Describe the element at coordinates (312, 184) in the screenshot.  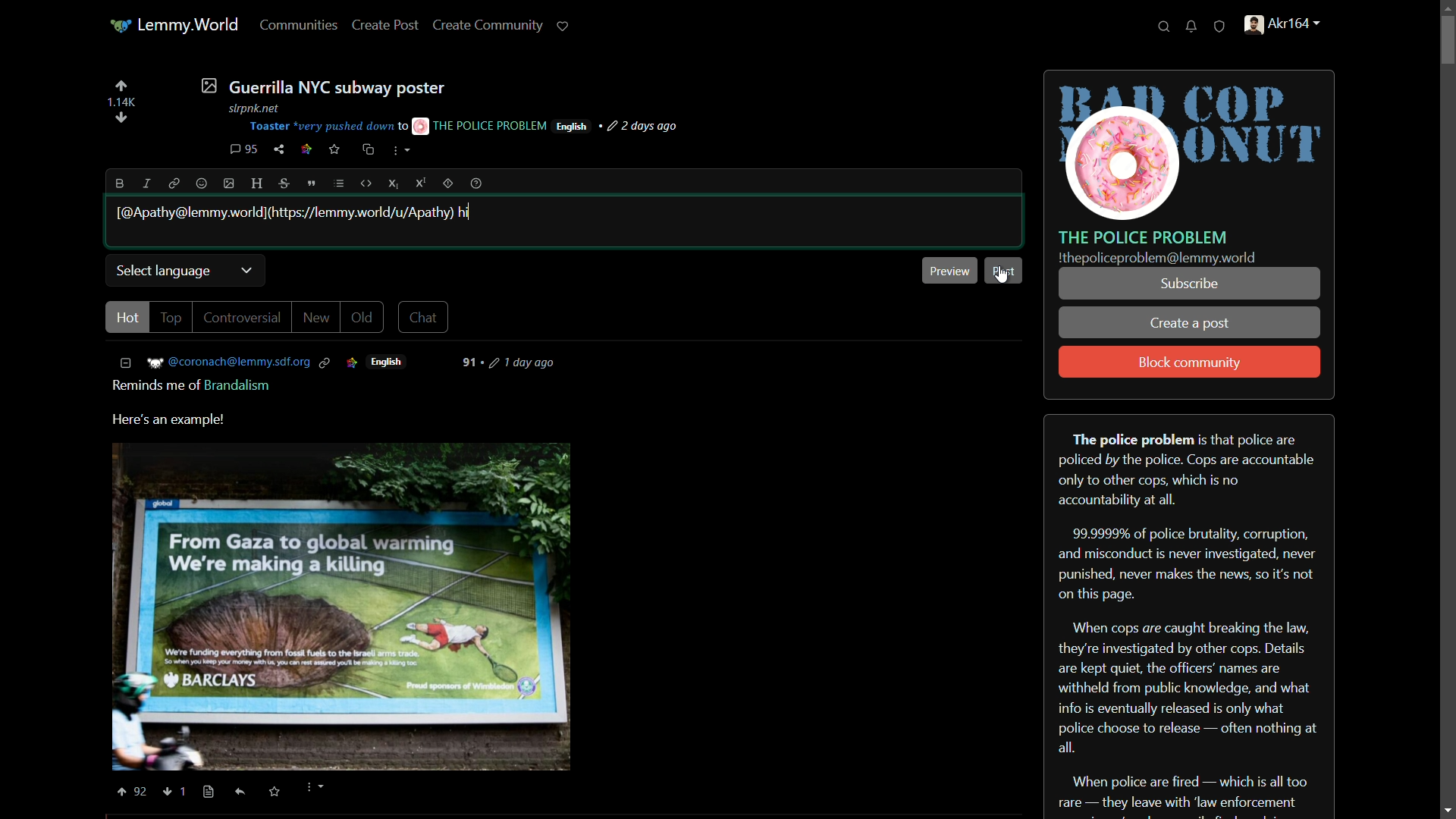
I see `quote` at that location.